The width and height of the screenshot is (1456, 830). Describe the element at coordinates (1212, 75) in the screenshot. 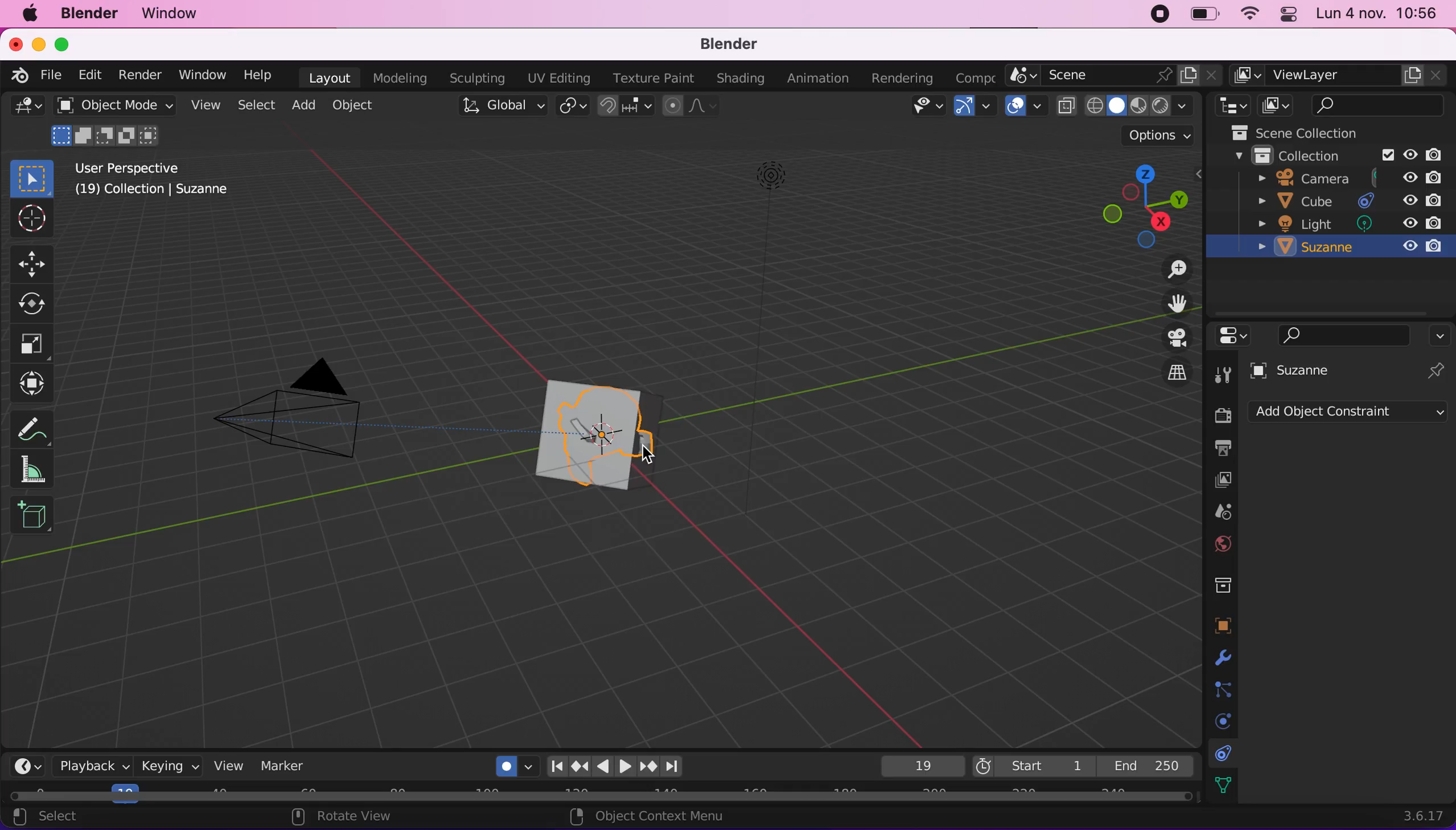

I see `close` at that location.